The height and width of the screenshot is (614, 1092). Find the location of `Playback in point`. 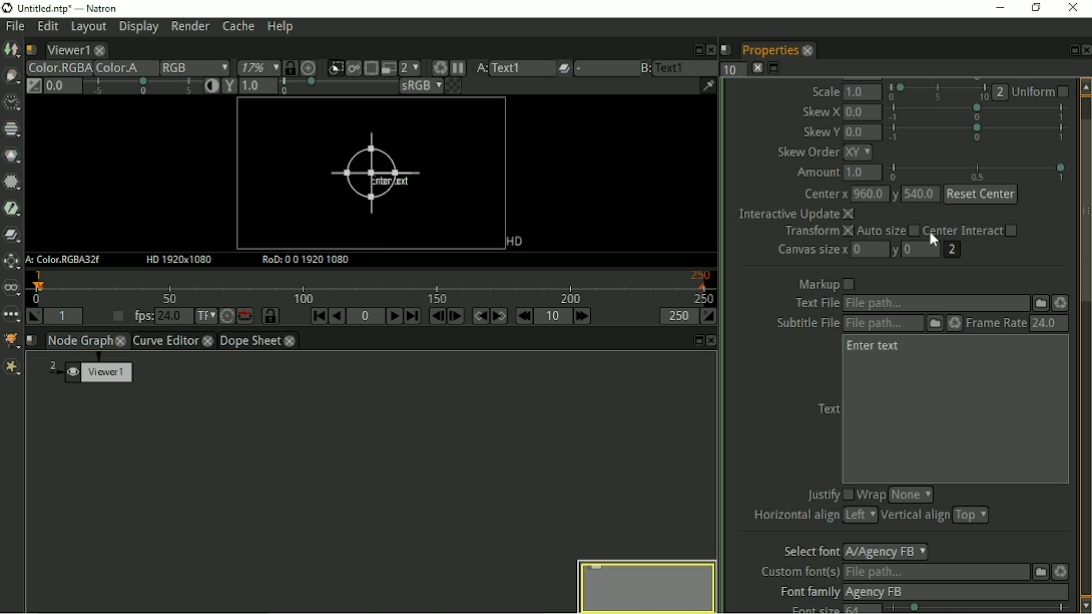

Playback in point is located at coordinates (63, 316).